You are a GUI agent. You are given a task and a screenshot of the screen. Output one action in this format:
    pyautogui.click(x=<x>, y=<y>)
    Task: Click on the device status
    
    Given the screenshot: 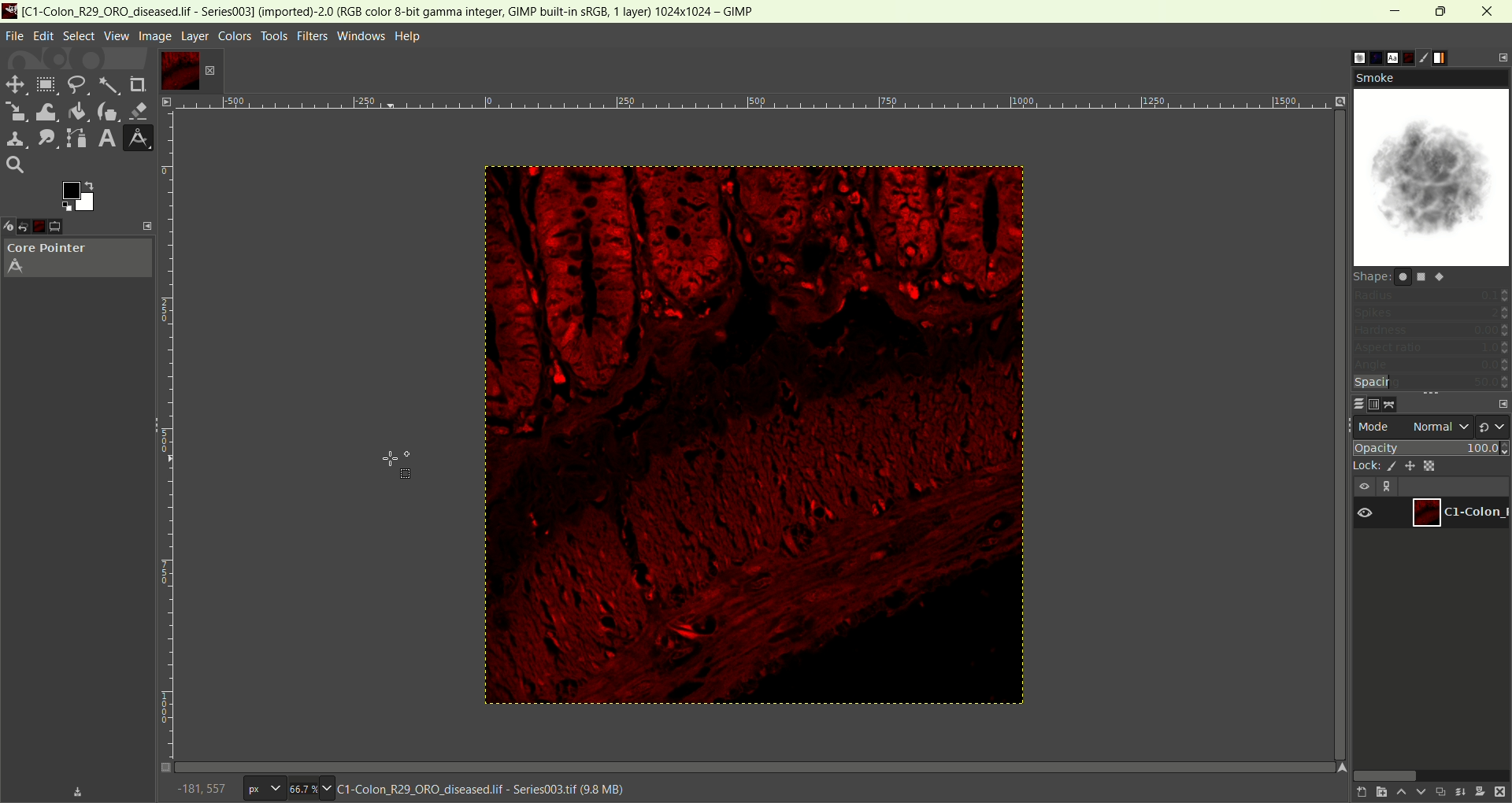 What is the action you would take?
    pyautogui.click(x=9, y=227)
    